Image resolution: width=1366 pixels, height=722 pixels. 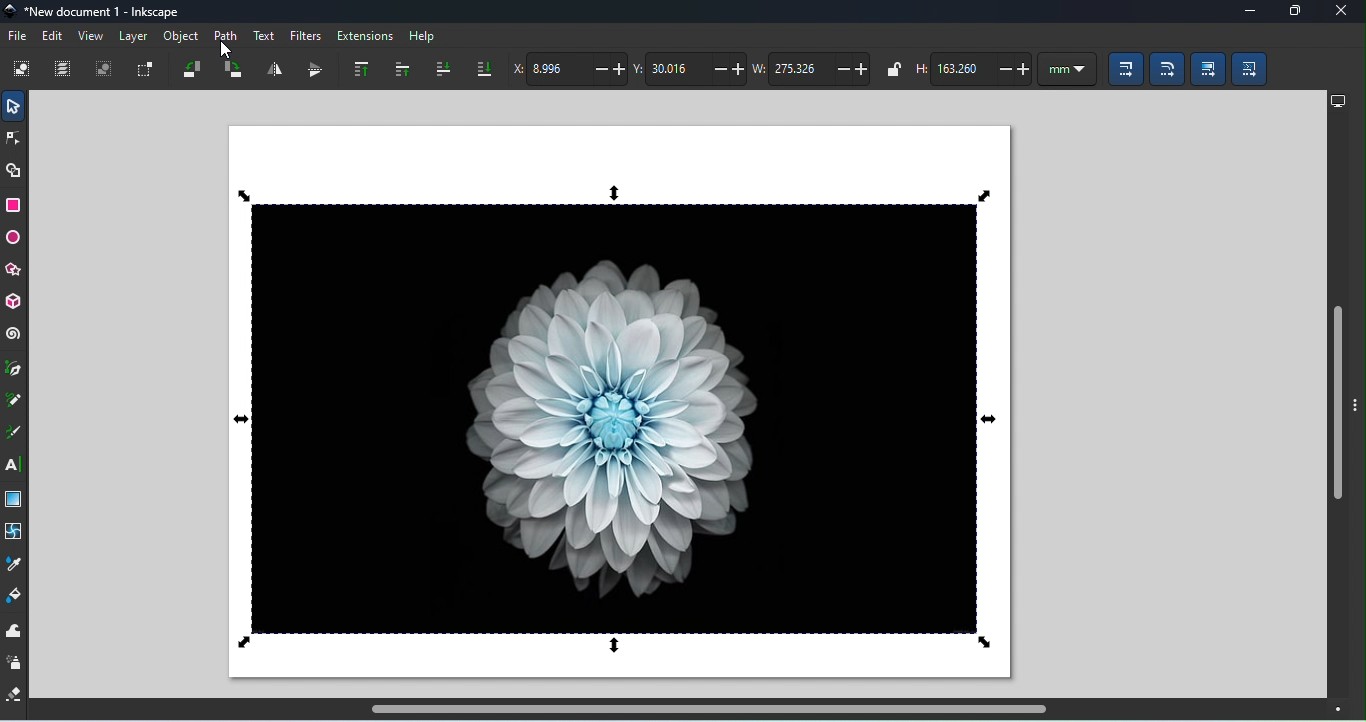 I want to click on Select all in all layers, so click(x=65, y=69).